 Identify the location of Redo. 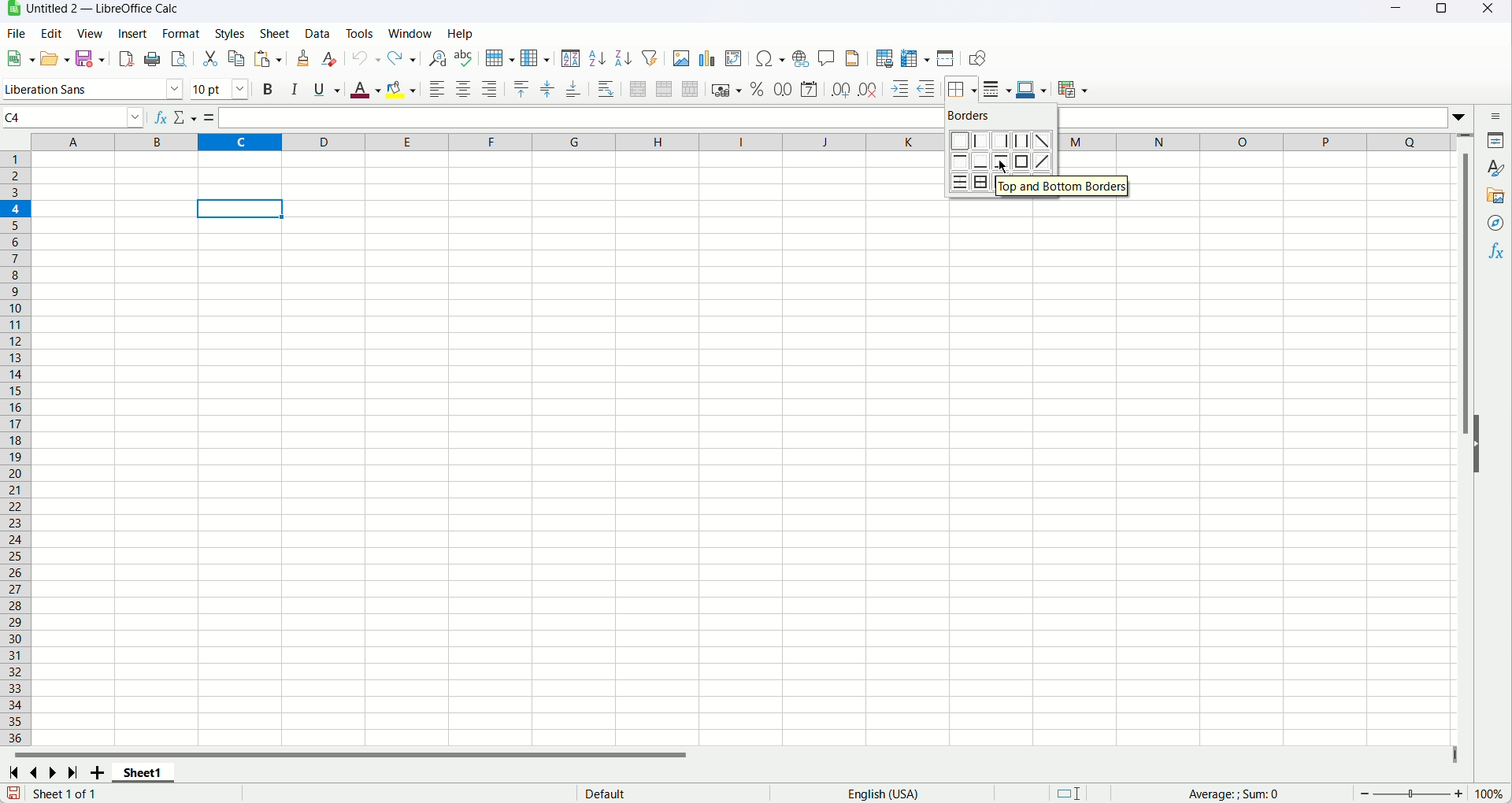
(402, 58).